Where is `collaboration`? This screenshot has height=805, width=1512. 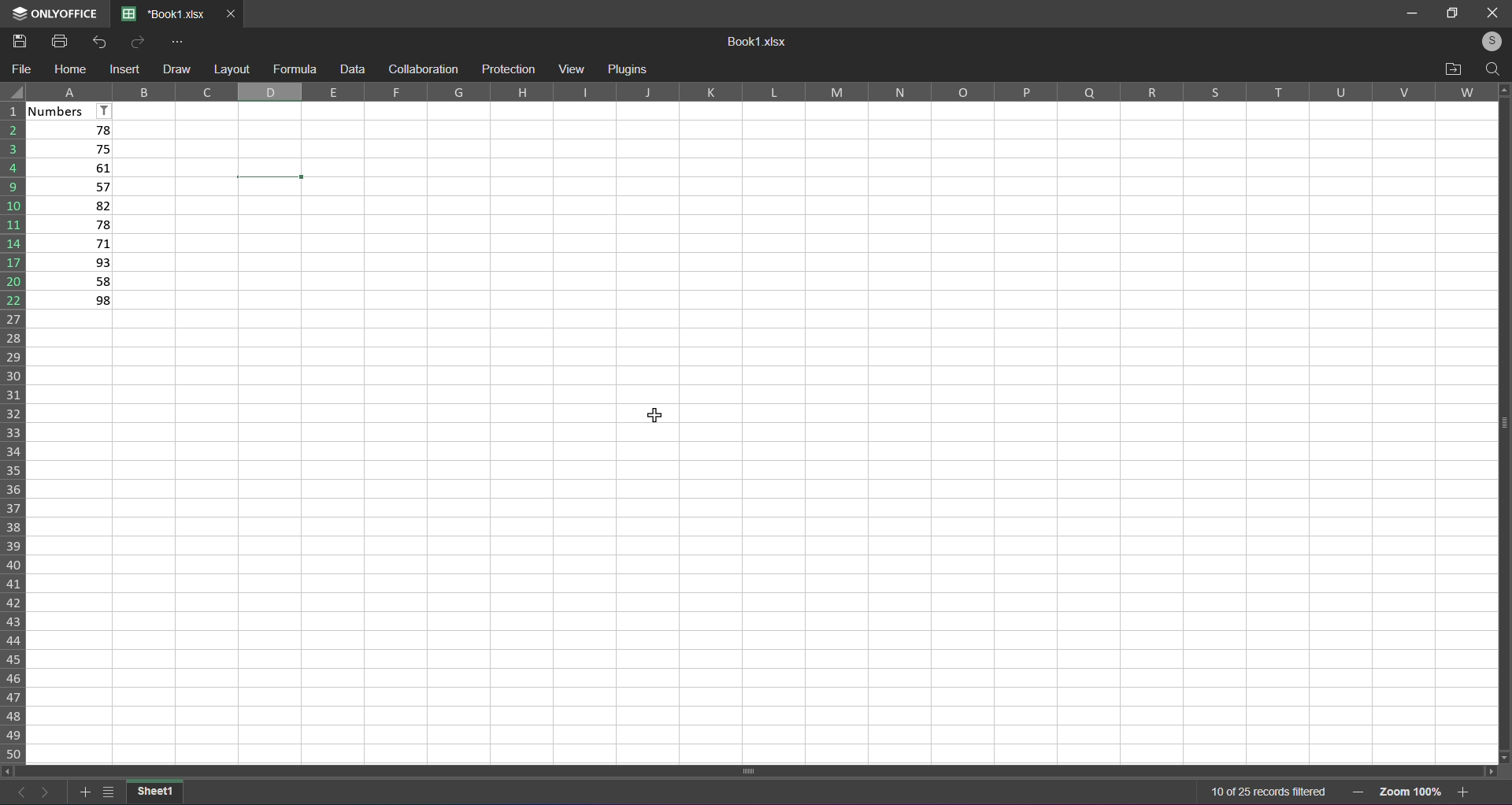
collaboration is located at coordinates (421, 69).